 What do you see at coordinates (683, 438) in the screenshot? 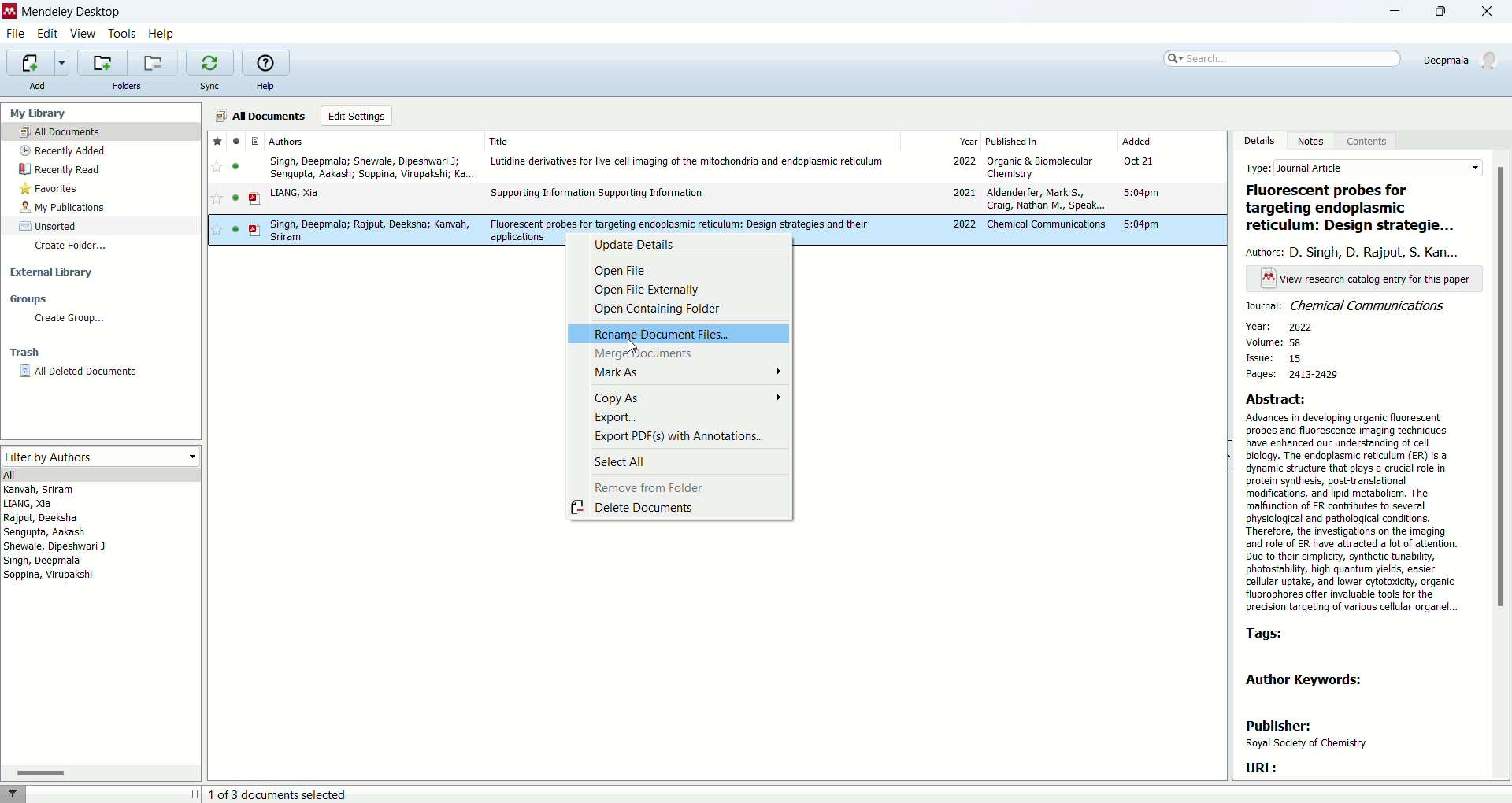
I see `export PDF(s) with annotations` at bounding box center [683, 438].